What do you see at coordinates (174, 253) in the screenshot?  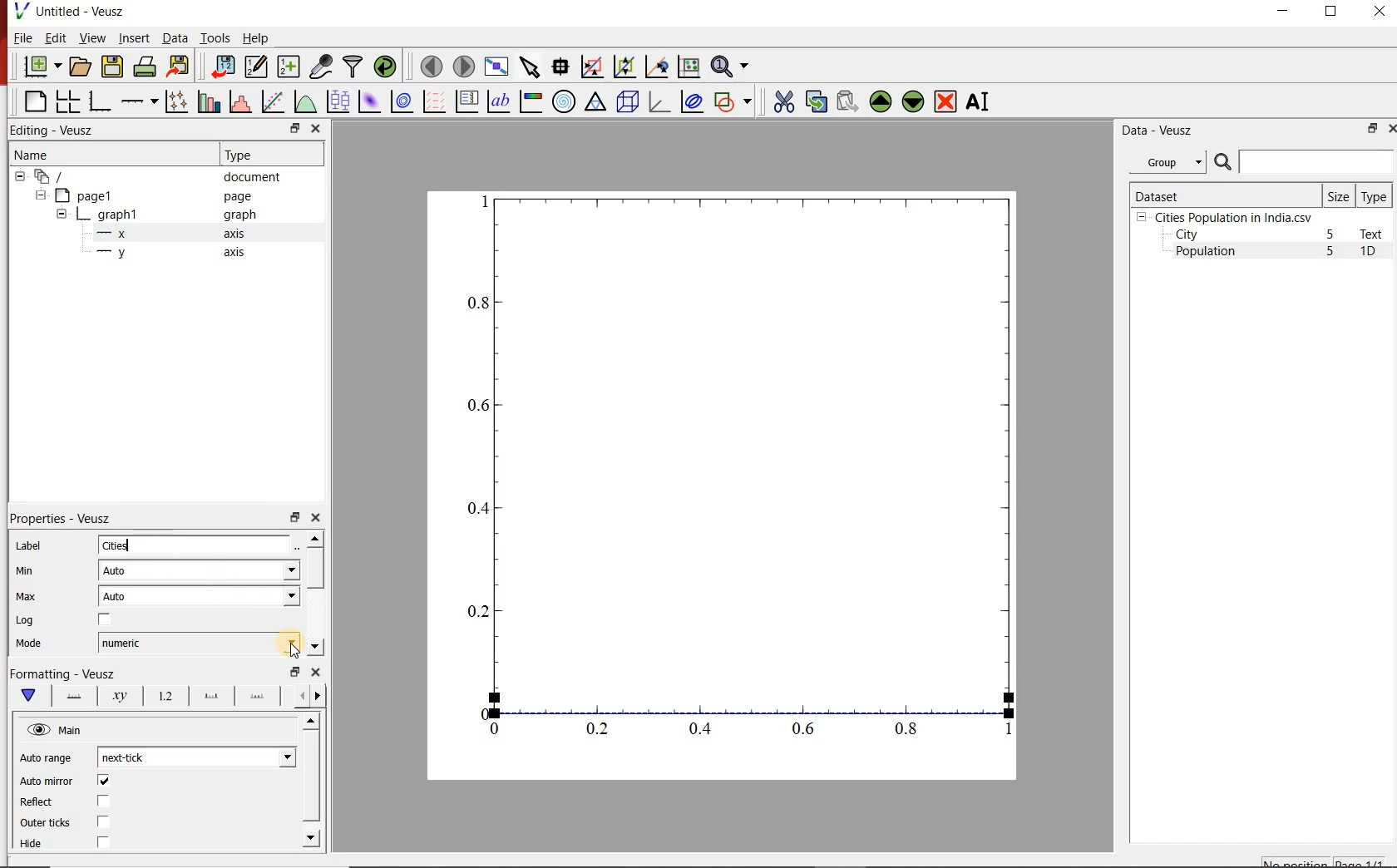 I see `y axis` at bounding box center [174, 253].